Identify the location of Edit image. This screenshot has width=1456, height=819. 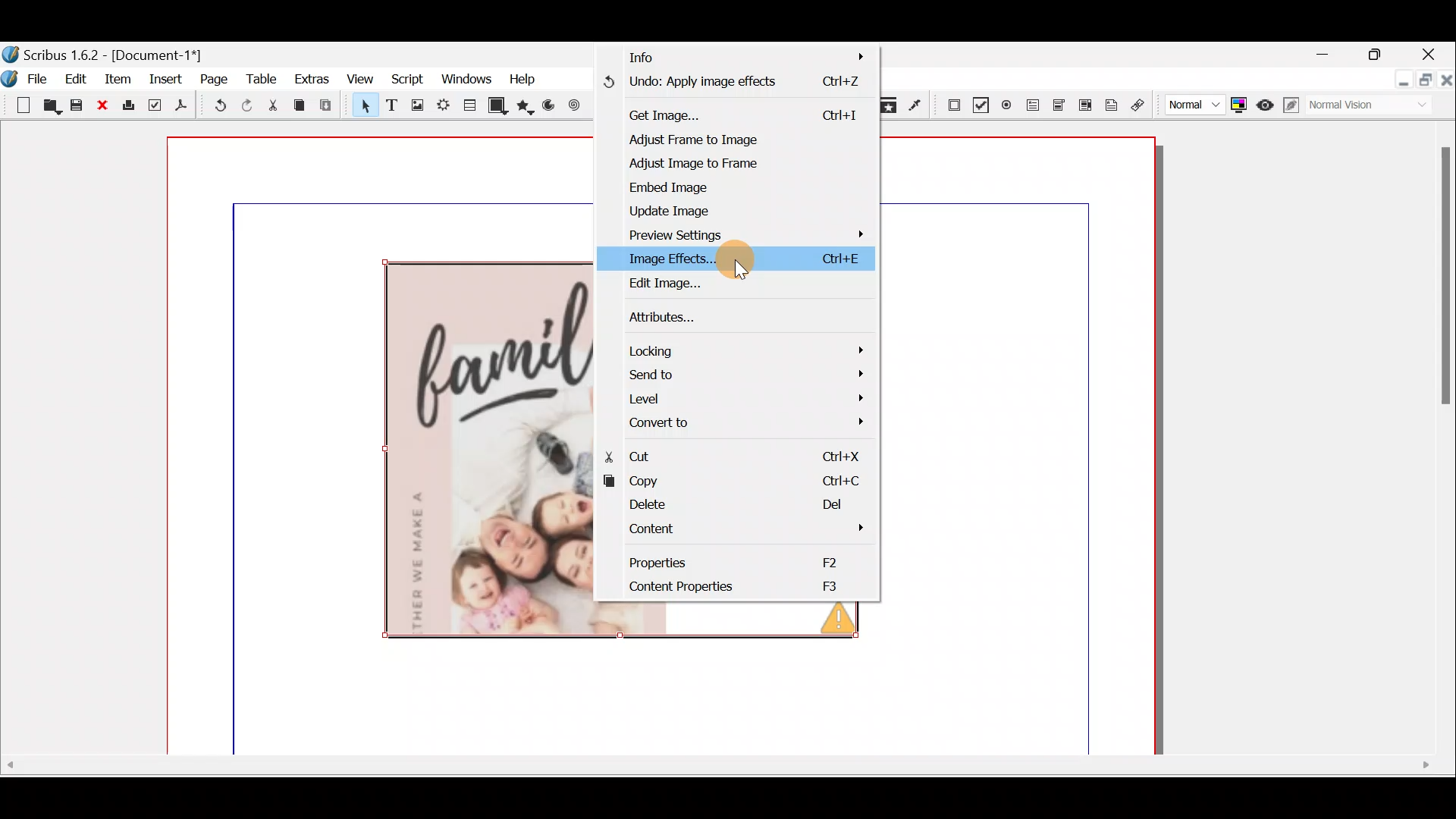
(661, 283).